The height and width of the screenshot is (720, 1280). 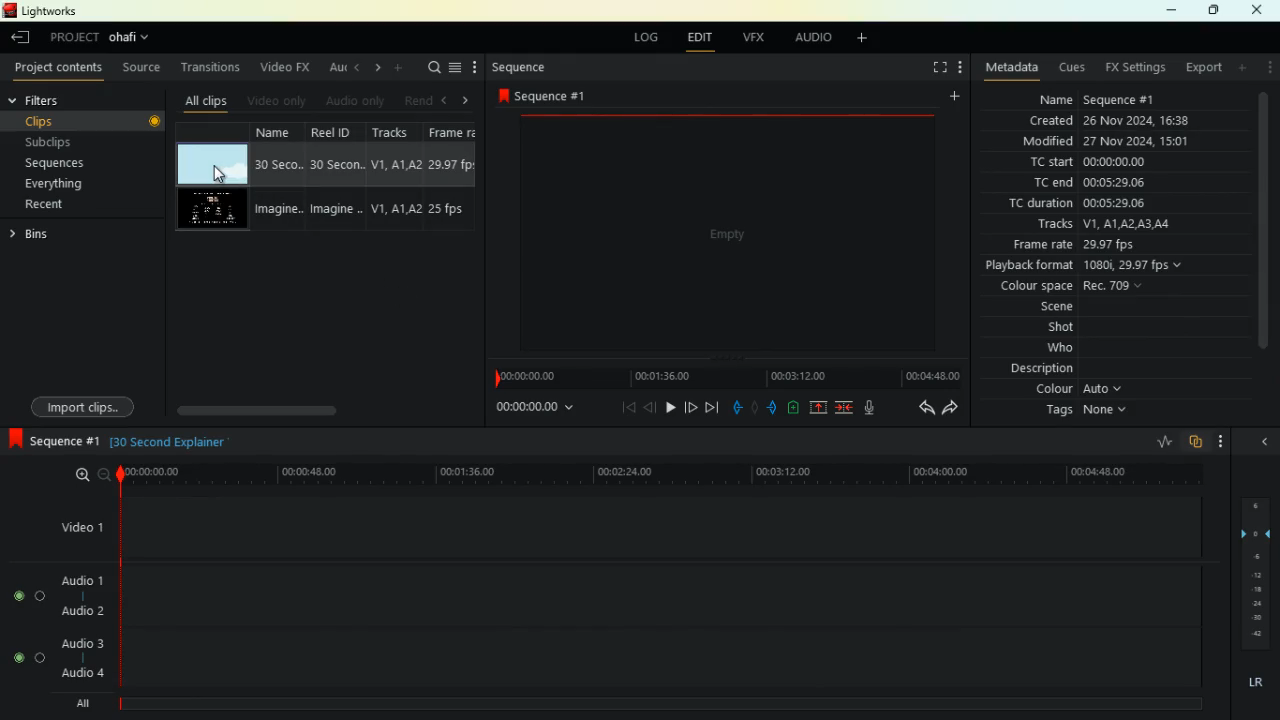 I want to click on add, so click(x=1241, y=70).